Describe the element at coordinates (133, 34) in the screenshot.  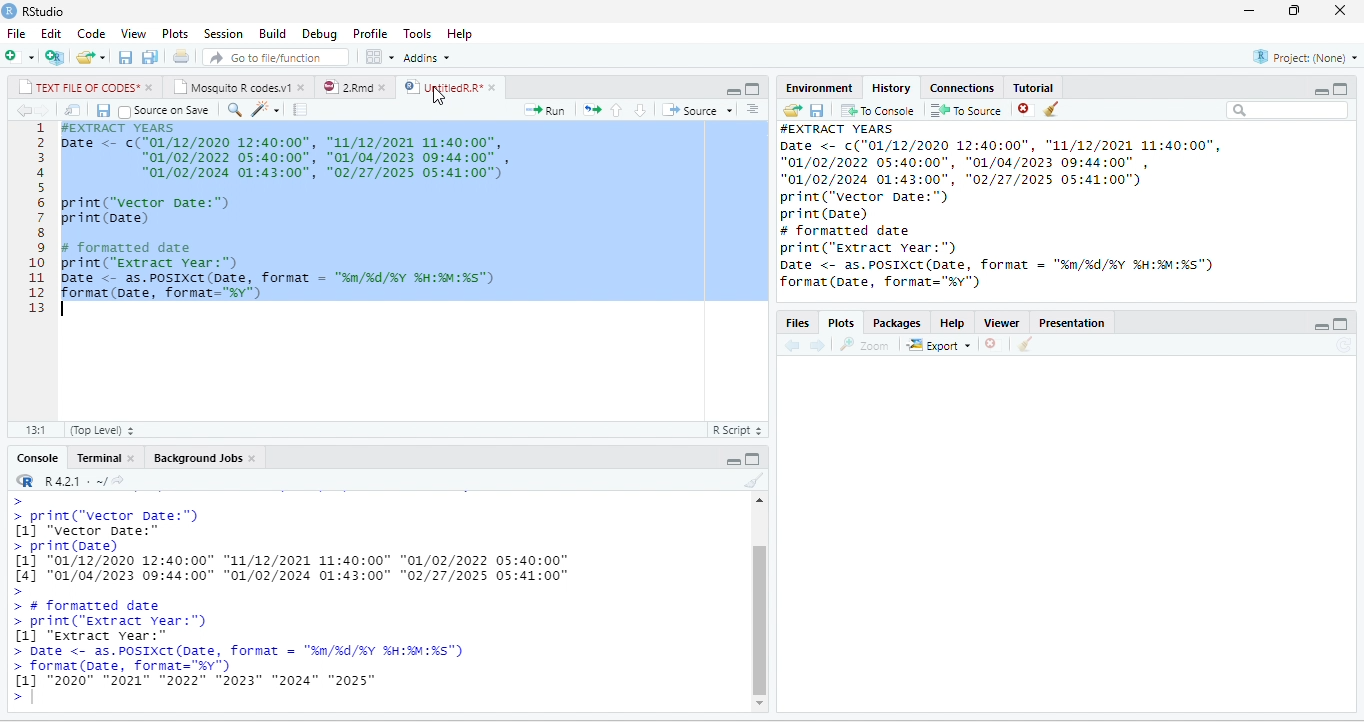
I see `View` at that location.